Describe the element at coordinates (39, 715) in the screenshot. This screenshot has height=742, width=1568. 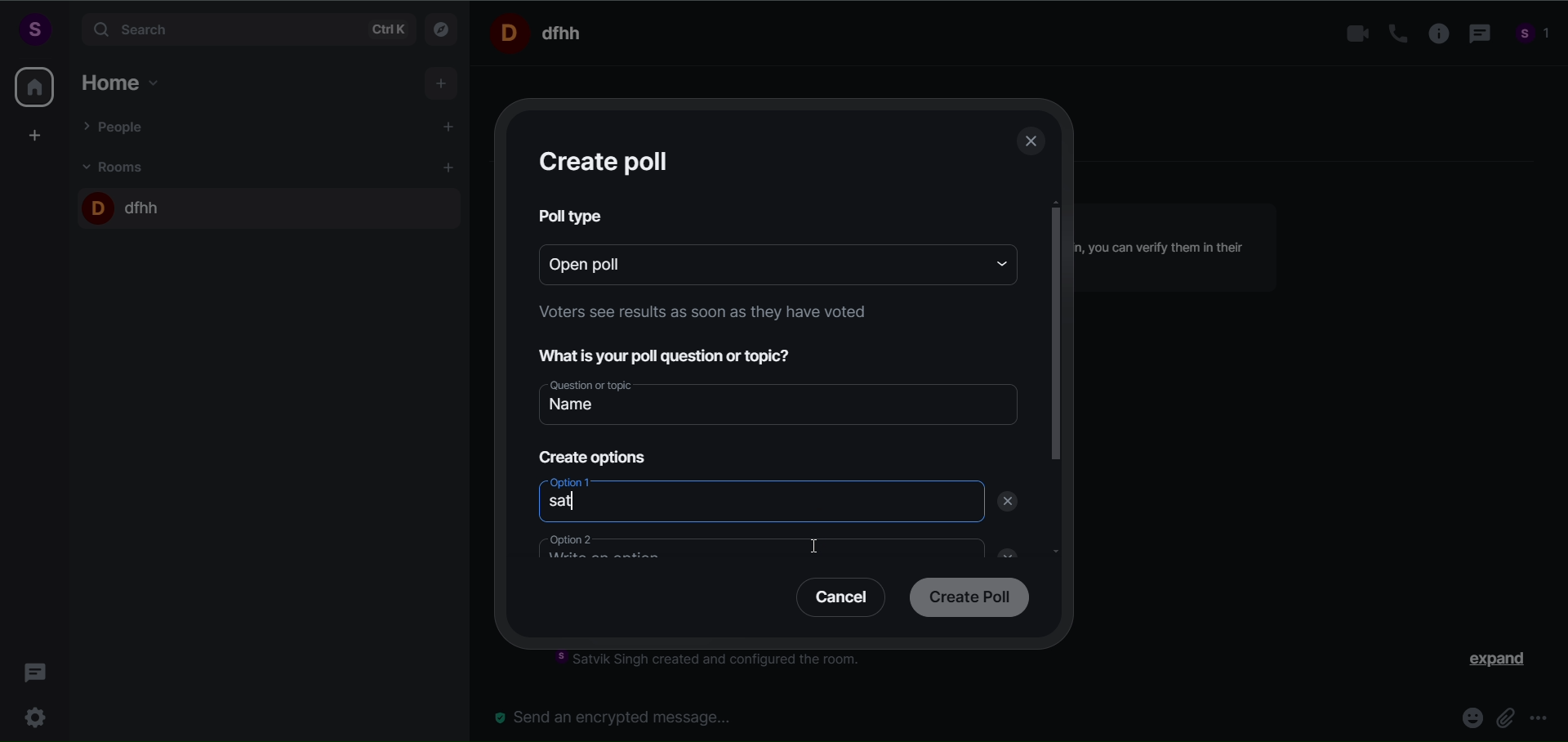
I see `settings` at that location.